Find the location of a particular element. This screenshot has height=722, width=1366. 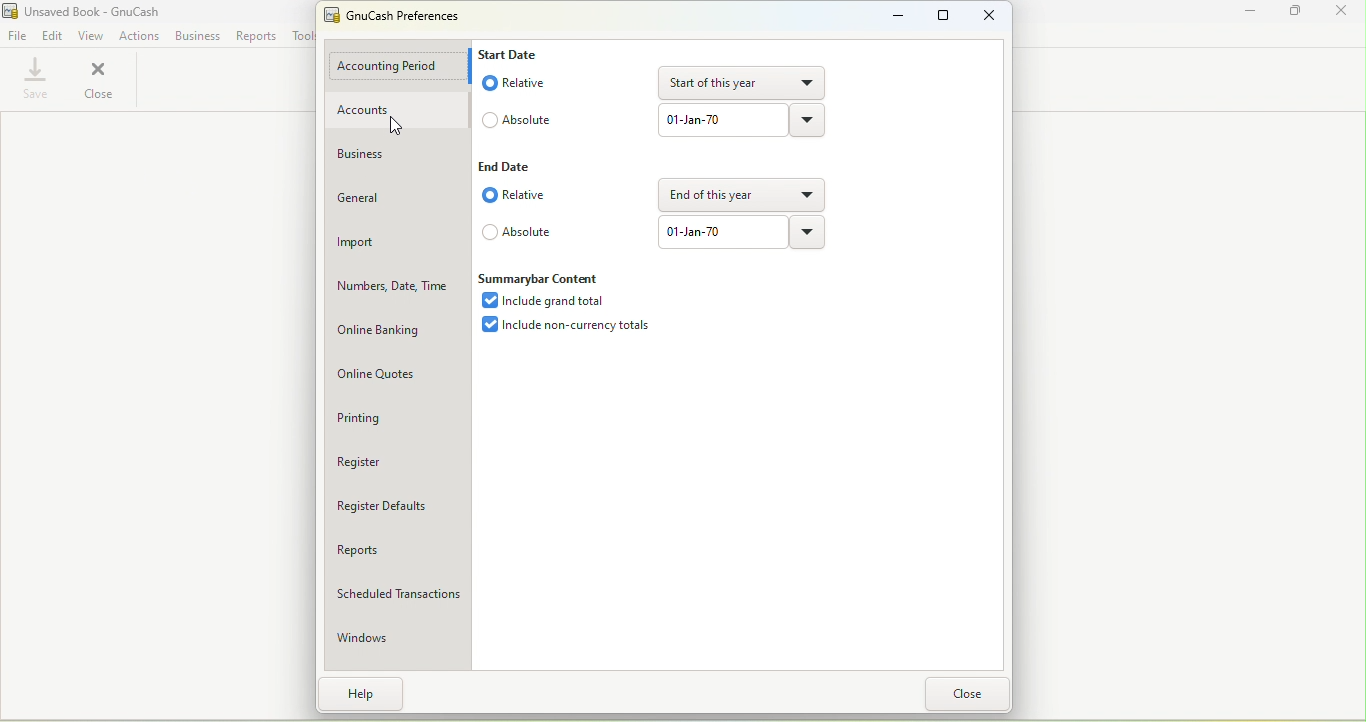

General is located at coordinates (397, 199).